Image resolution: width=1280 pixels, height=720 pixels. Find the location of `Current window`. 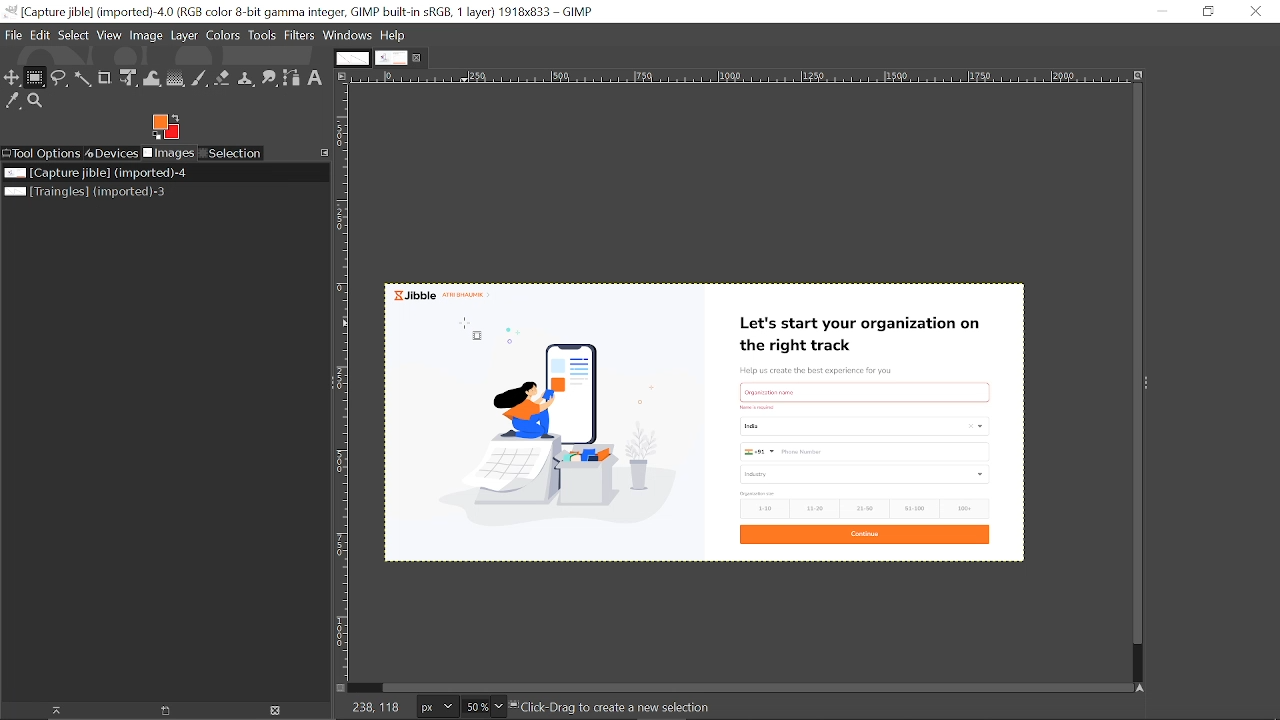

Current window is located at coordinates (303, 11).